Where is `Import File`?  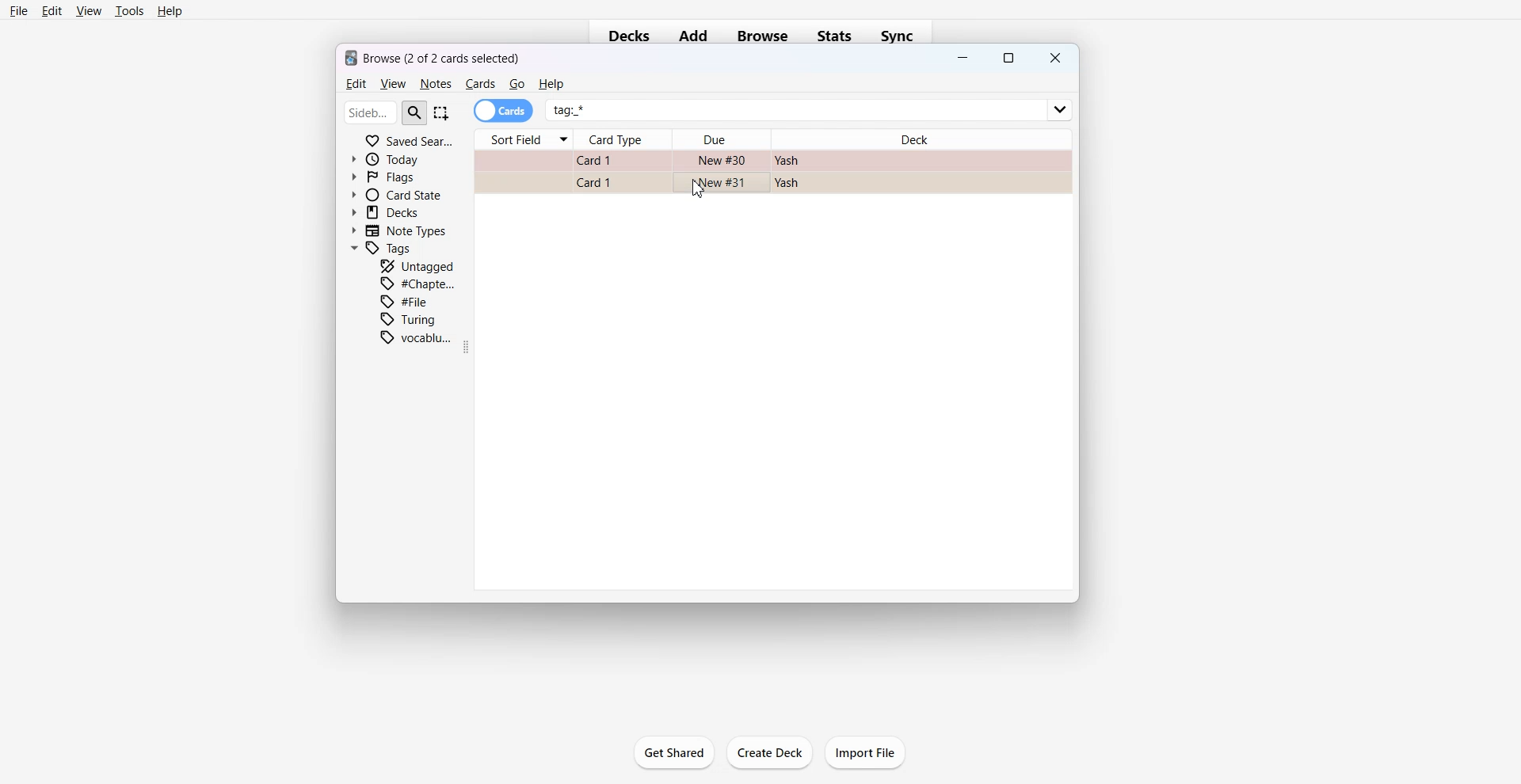
Import File is located at coordinates (867, 752).